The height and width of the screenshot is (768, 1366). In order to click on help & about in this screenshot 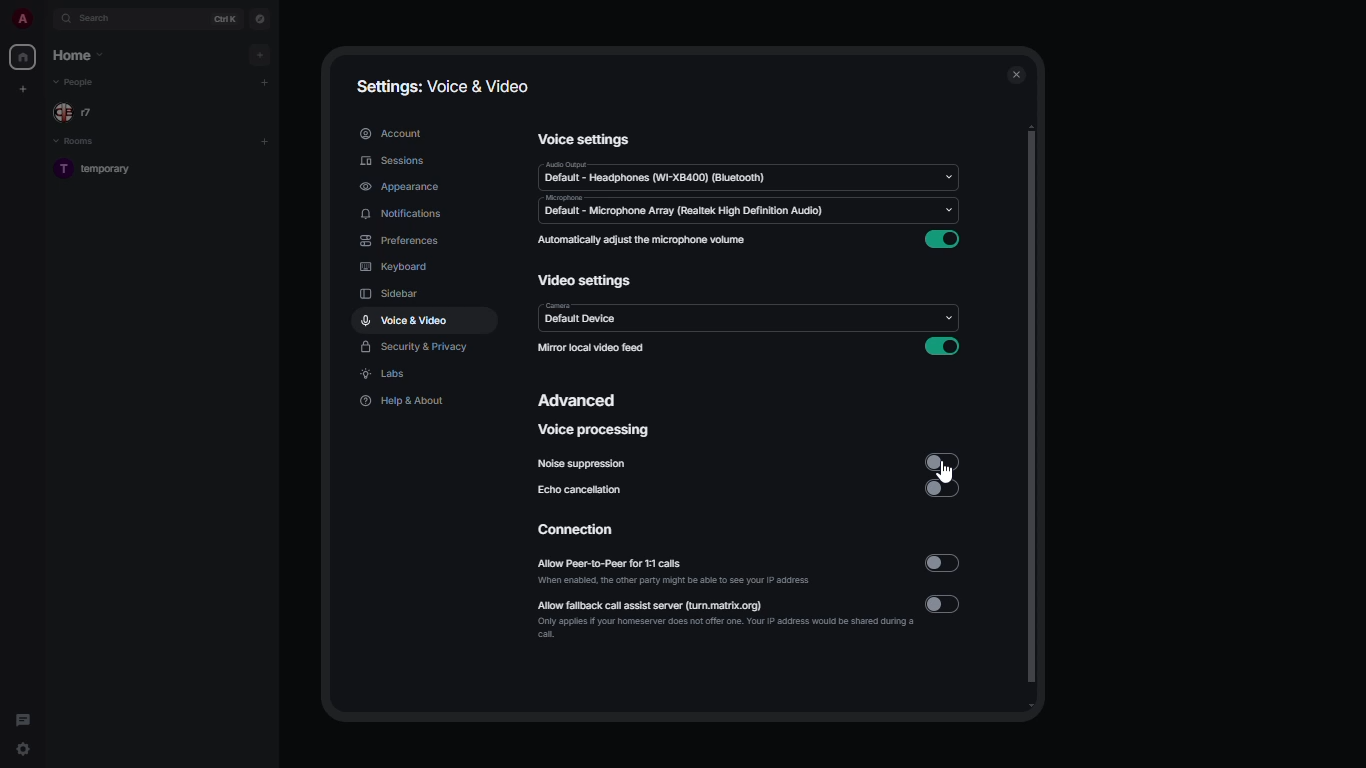, I will do `click(404, 402)`.